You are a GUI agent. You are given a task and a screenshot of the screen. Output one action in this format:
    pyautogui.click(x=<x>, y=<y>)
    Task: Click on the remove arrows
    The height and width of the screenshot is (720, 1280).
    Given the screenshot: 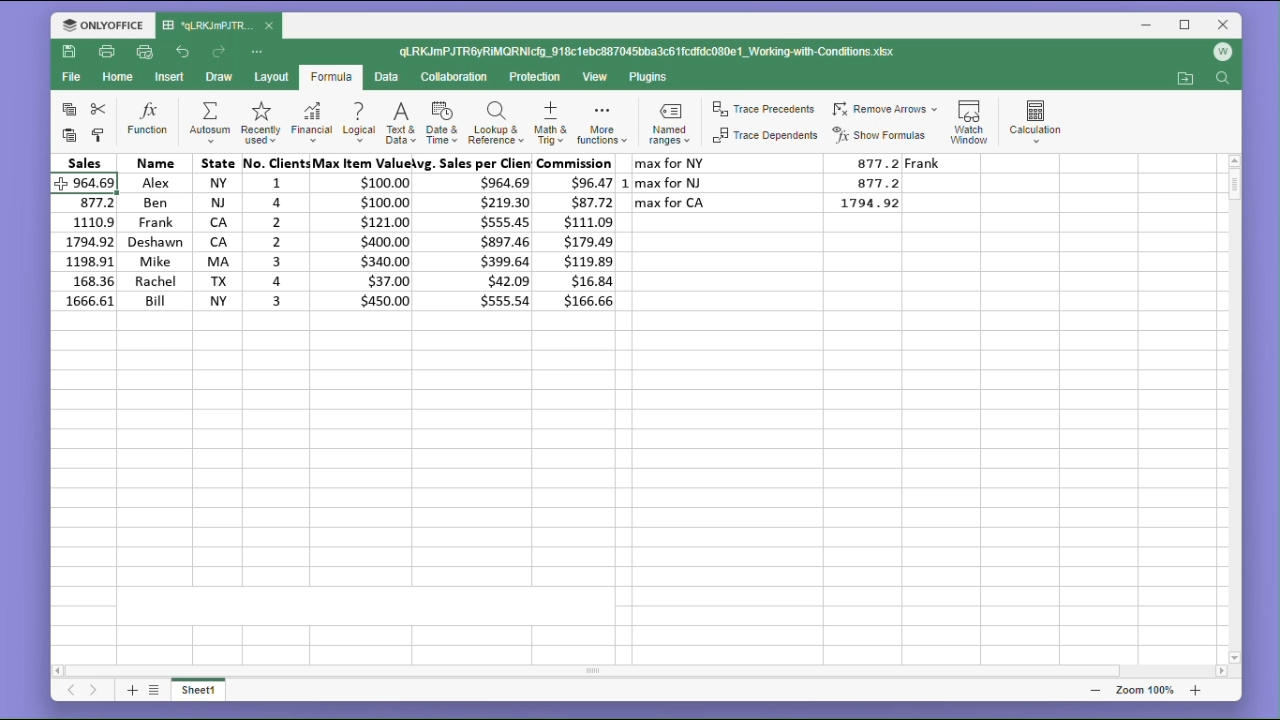 What is the action you would take?
    pyautogui.click(x=885, y=106)
    